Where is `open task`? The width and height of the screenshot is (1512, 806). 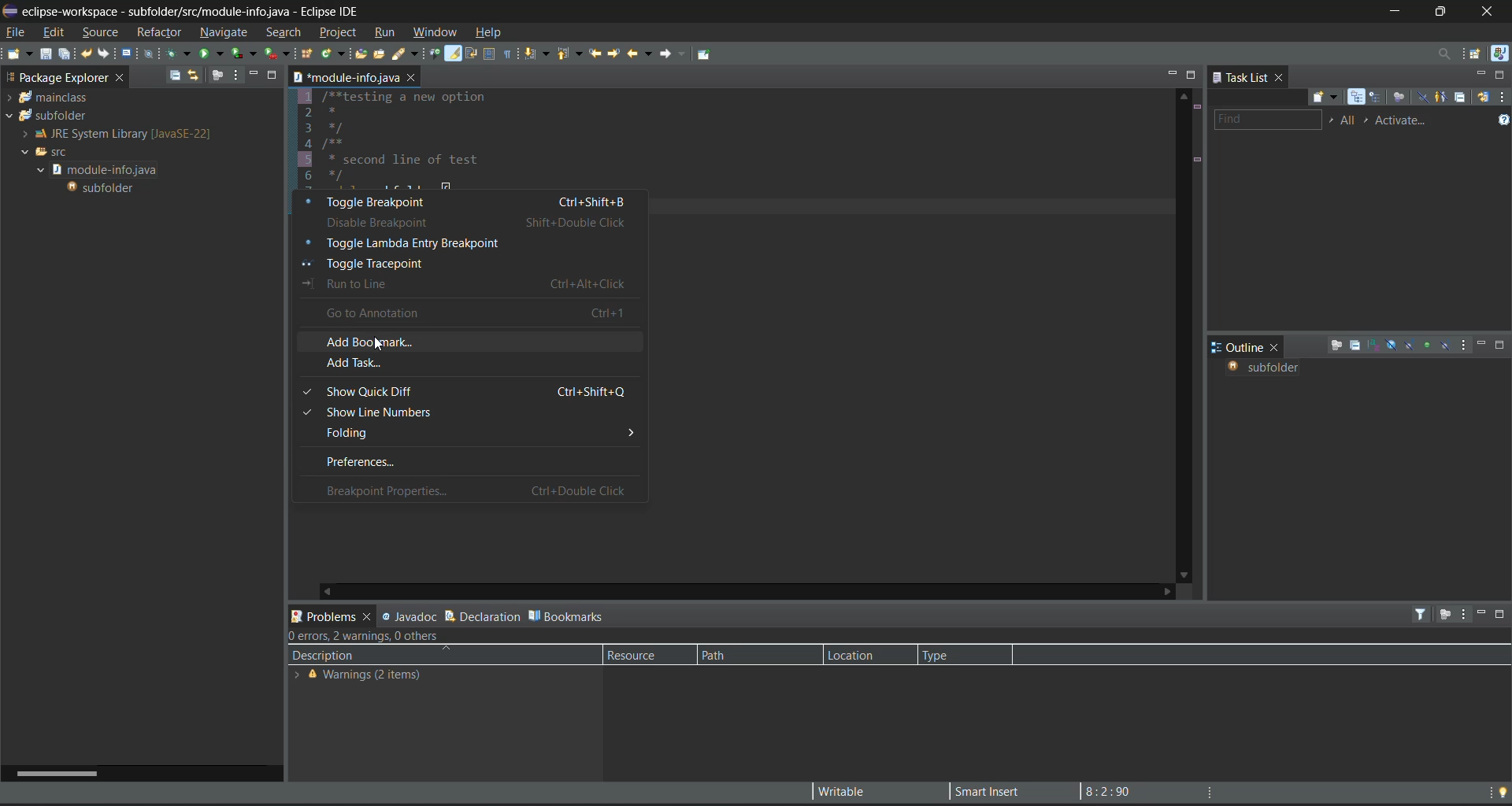 open task is located at coordinates (383, 57).